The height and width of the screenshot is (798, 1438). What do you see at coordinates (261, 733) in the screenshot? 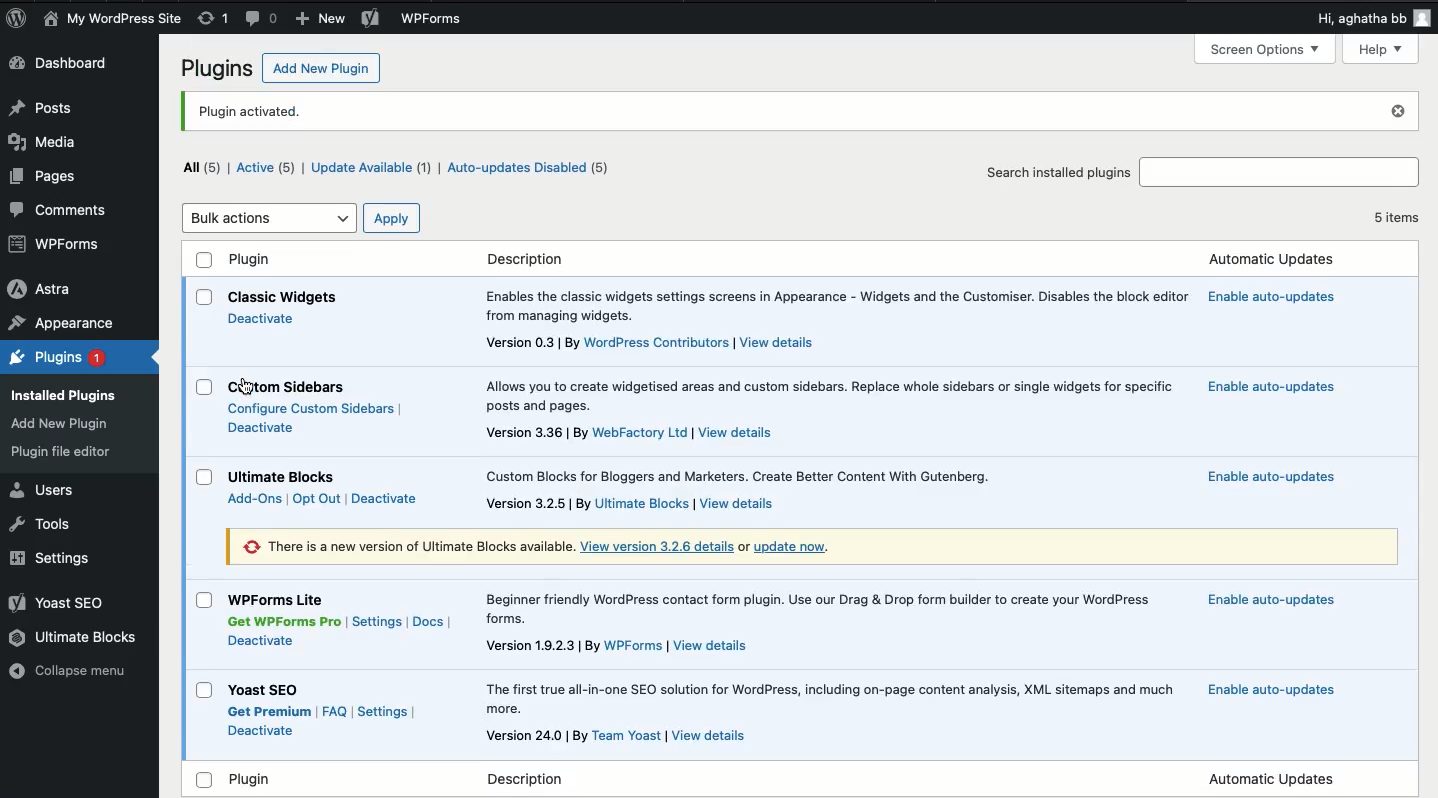
I see `Deactive` at bounding box center [261, 733].